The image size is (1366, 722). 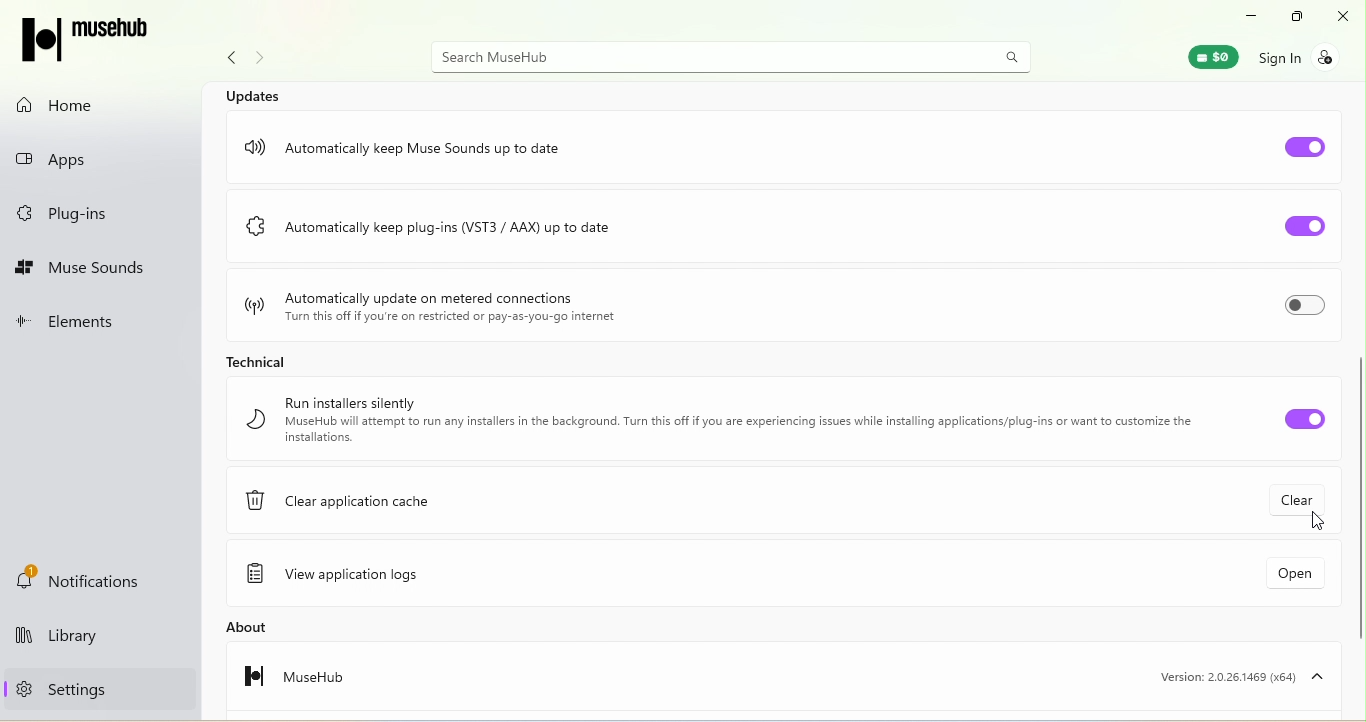 I want to click on Navigate back, so click(x=226, y=61).